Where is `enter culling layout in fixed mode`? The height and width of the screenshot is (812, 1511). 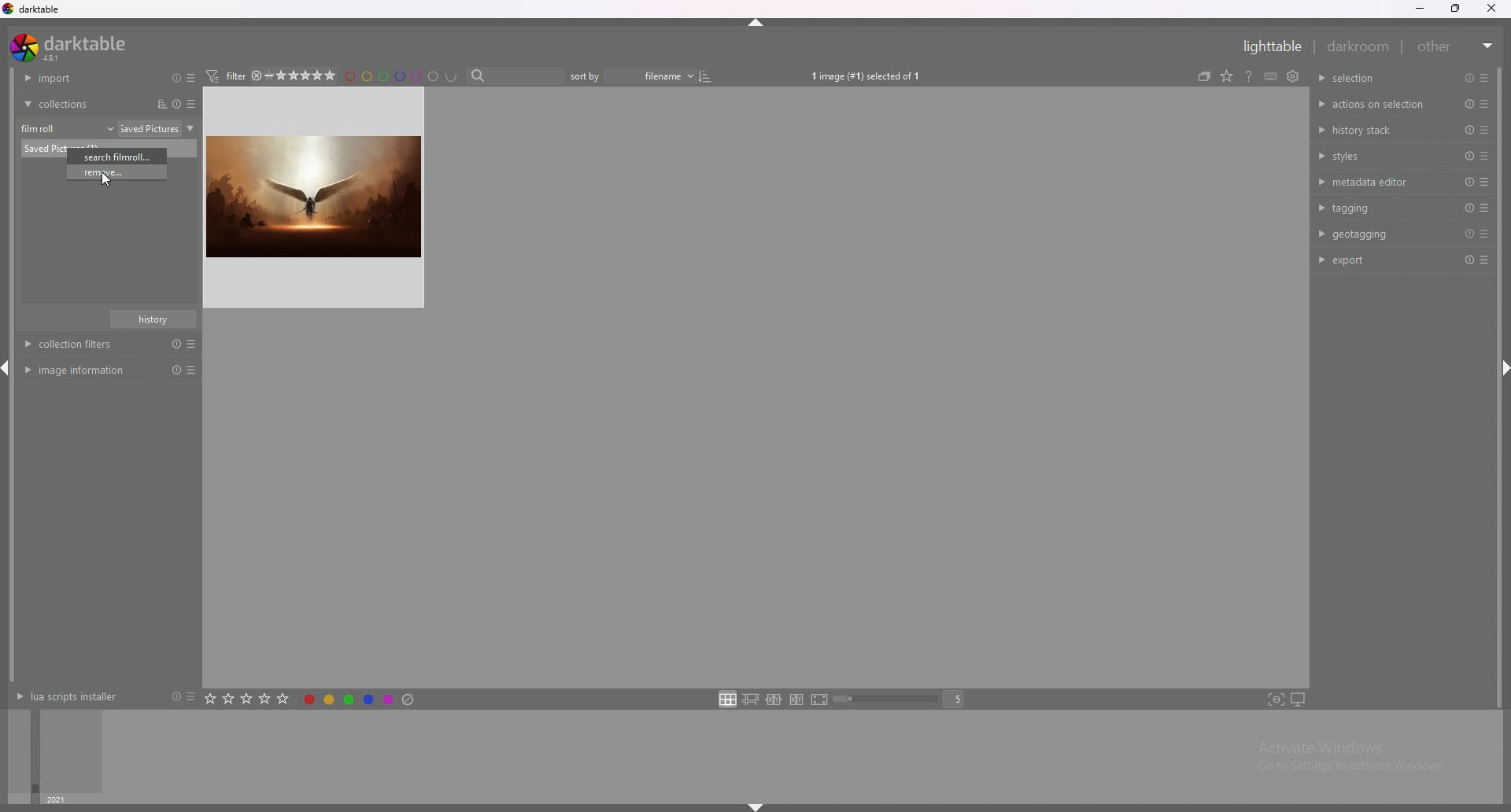
enter culling layout in fixed mode is located at coordinates (774, 700).